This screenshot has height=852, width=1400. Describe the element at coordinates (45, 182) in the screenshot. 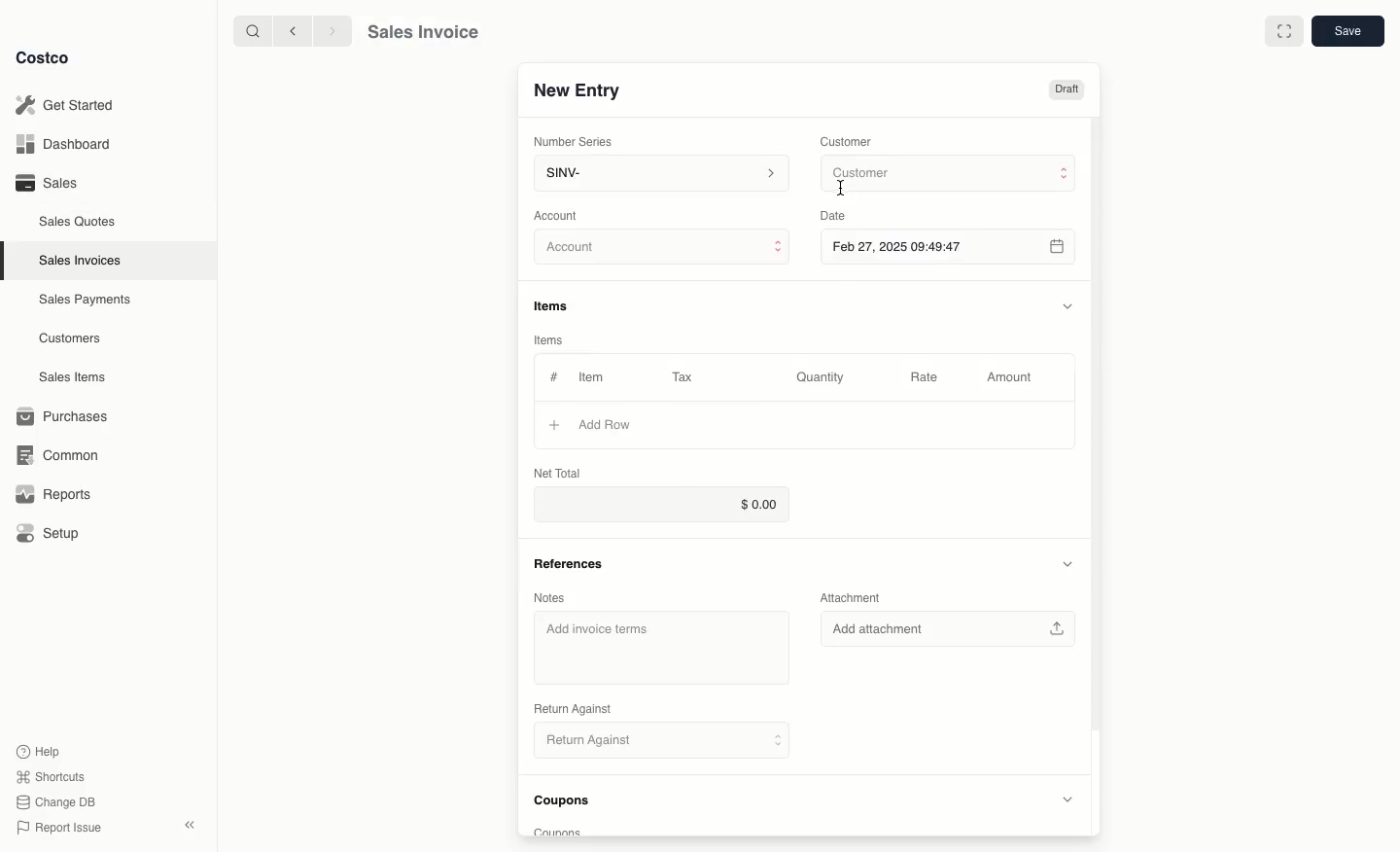

I see `Sales` at that location.